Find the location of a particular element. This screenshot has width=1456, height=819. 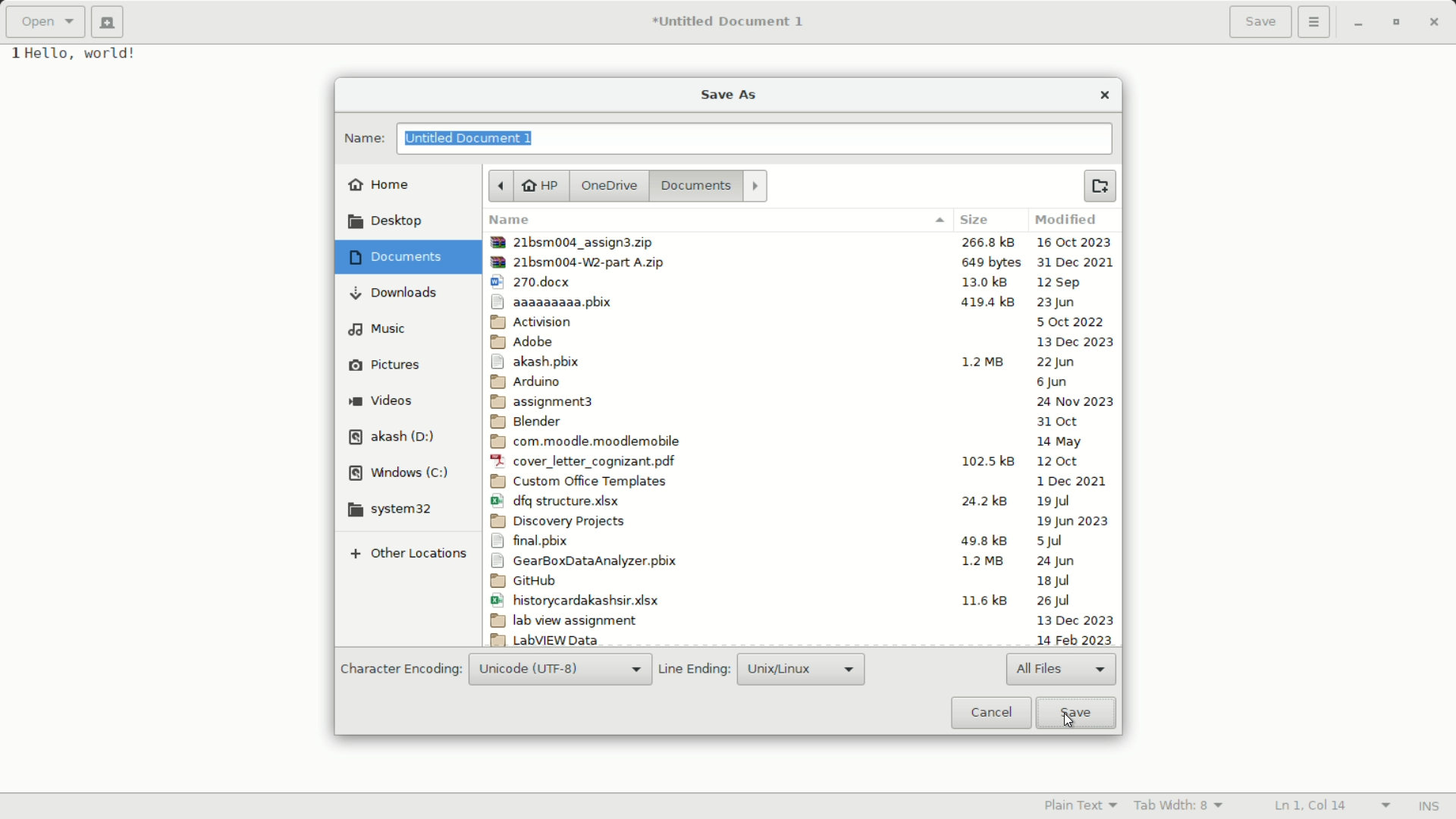

videos is located at coordinates (381, 400).